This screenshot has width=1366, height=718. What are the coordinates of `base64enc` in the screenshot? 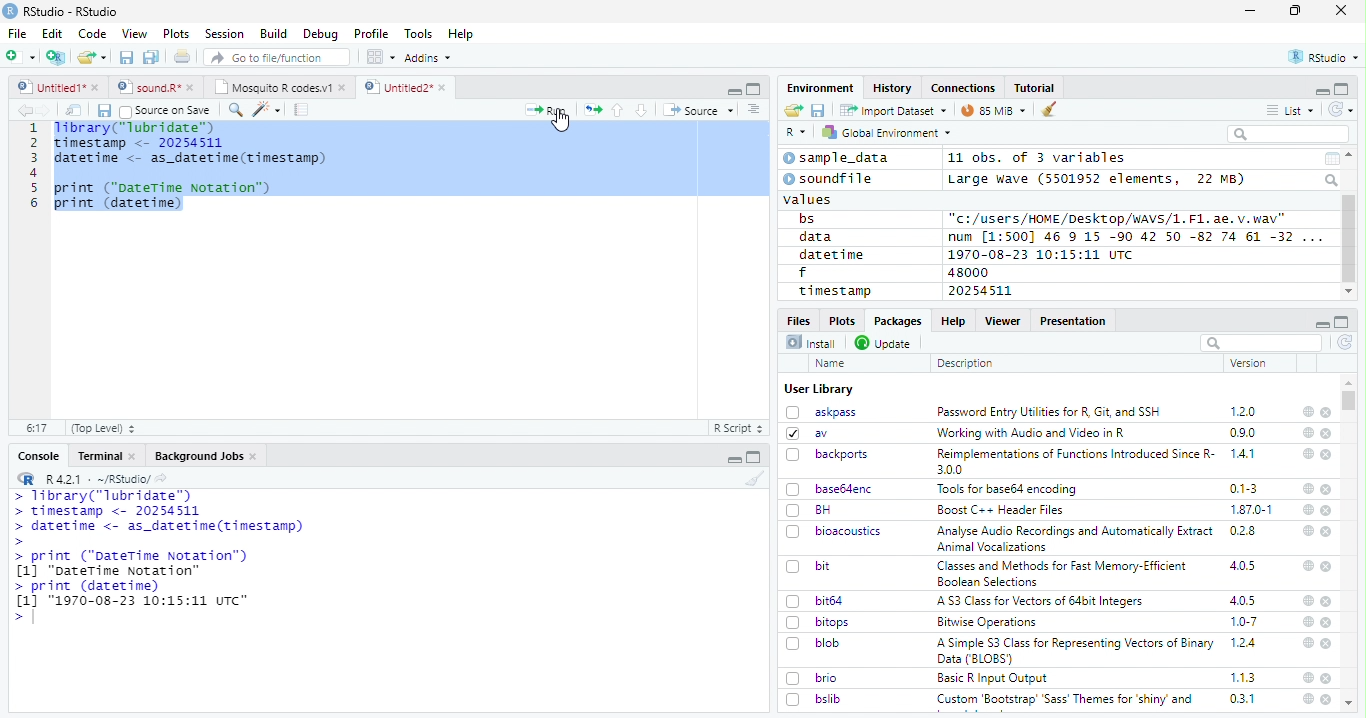 It's located at (830, 488).